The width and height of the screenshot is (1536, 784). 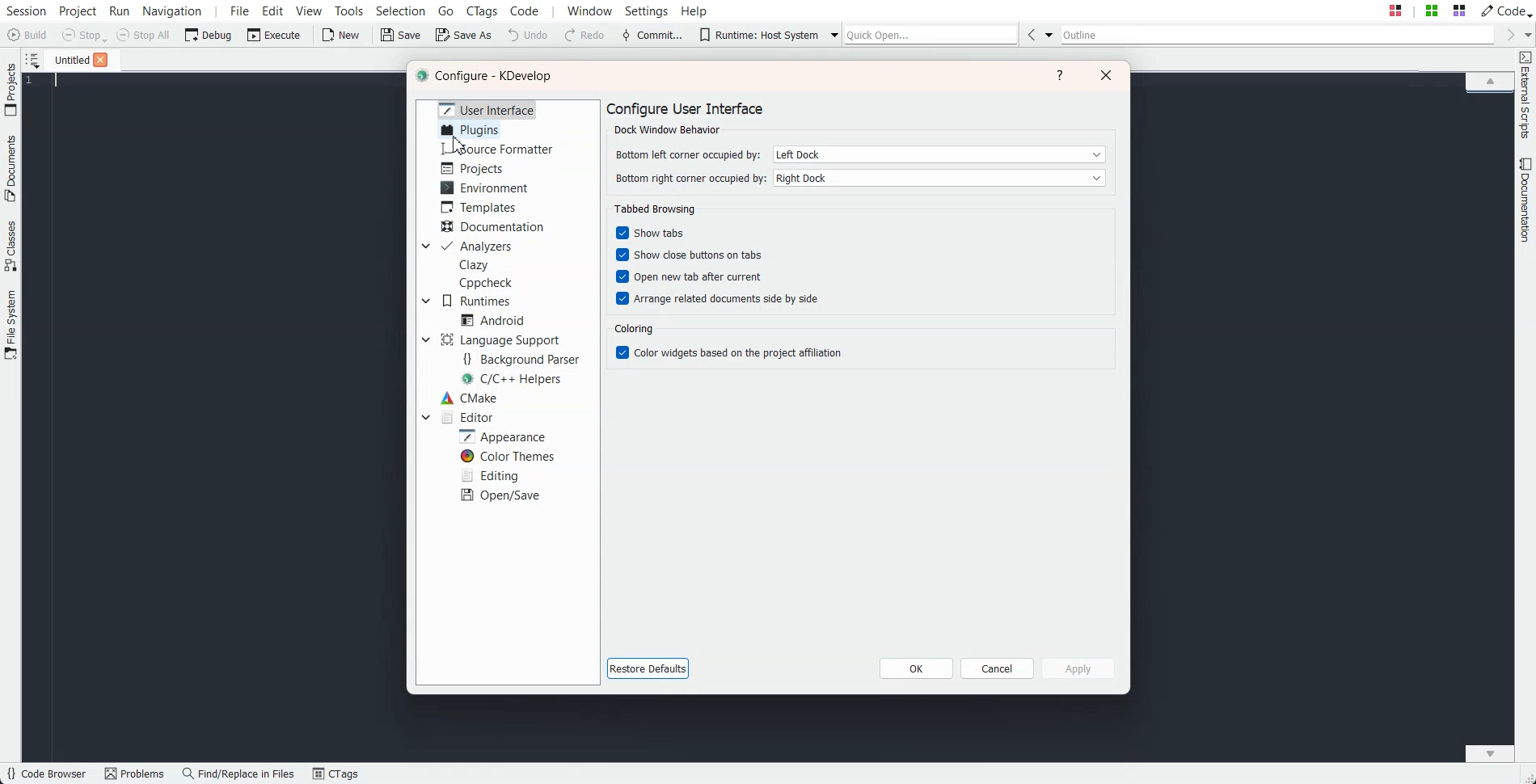 What do you see at coordinates (514, 379) in the screenshot?
I see `C/C++ Helpers` at bounding box center [514, 379].